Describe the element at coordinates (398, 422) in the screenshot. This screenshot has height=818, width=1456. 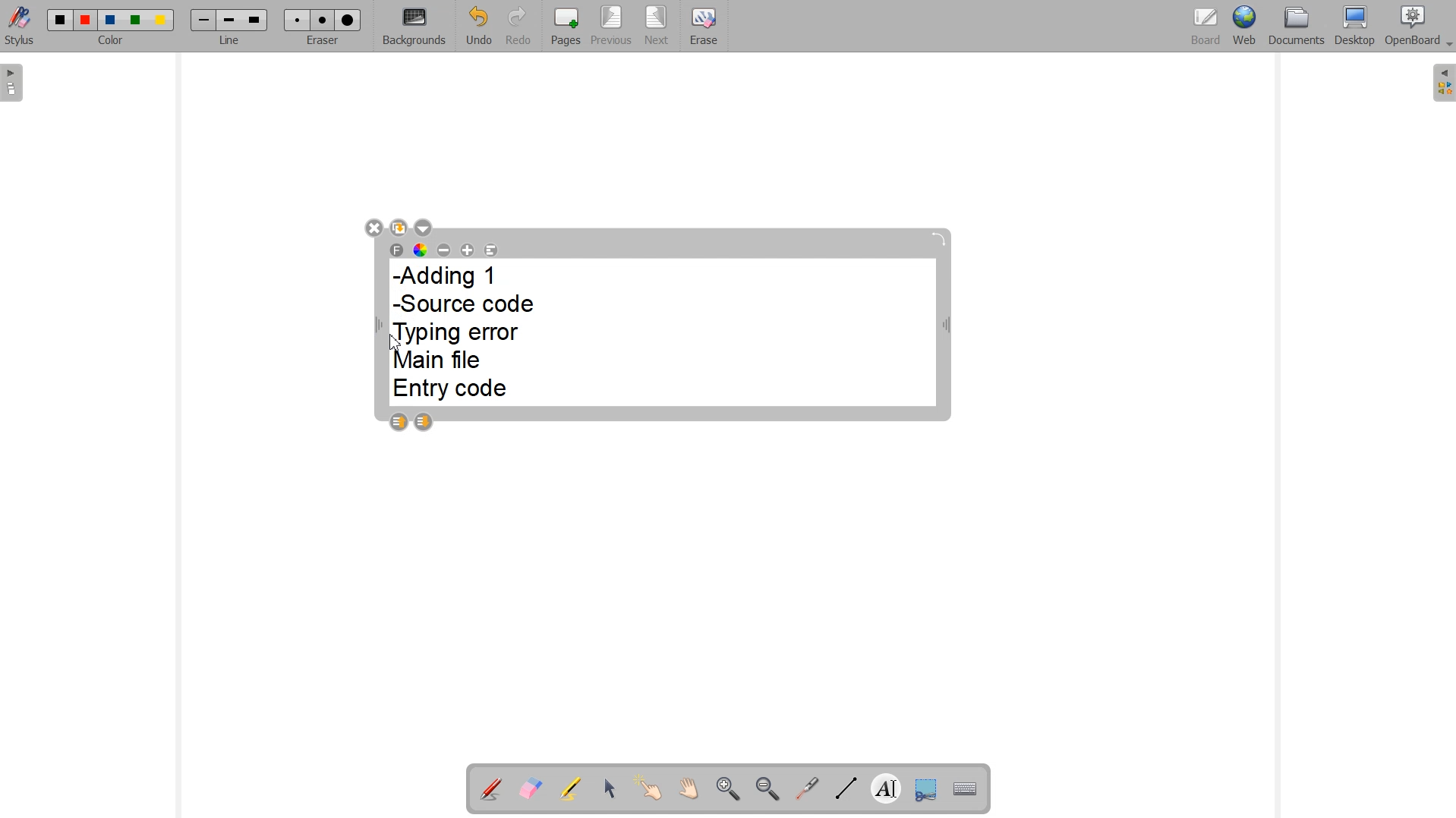
I see `Layer up` at that location.